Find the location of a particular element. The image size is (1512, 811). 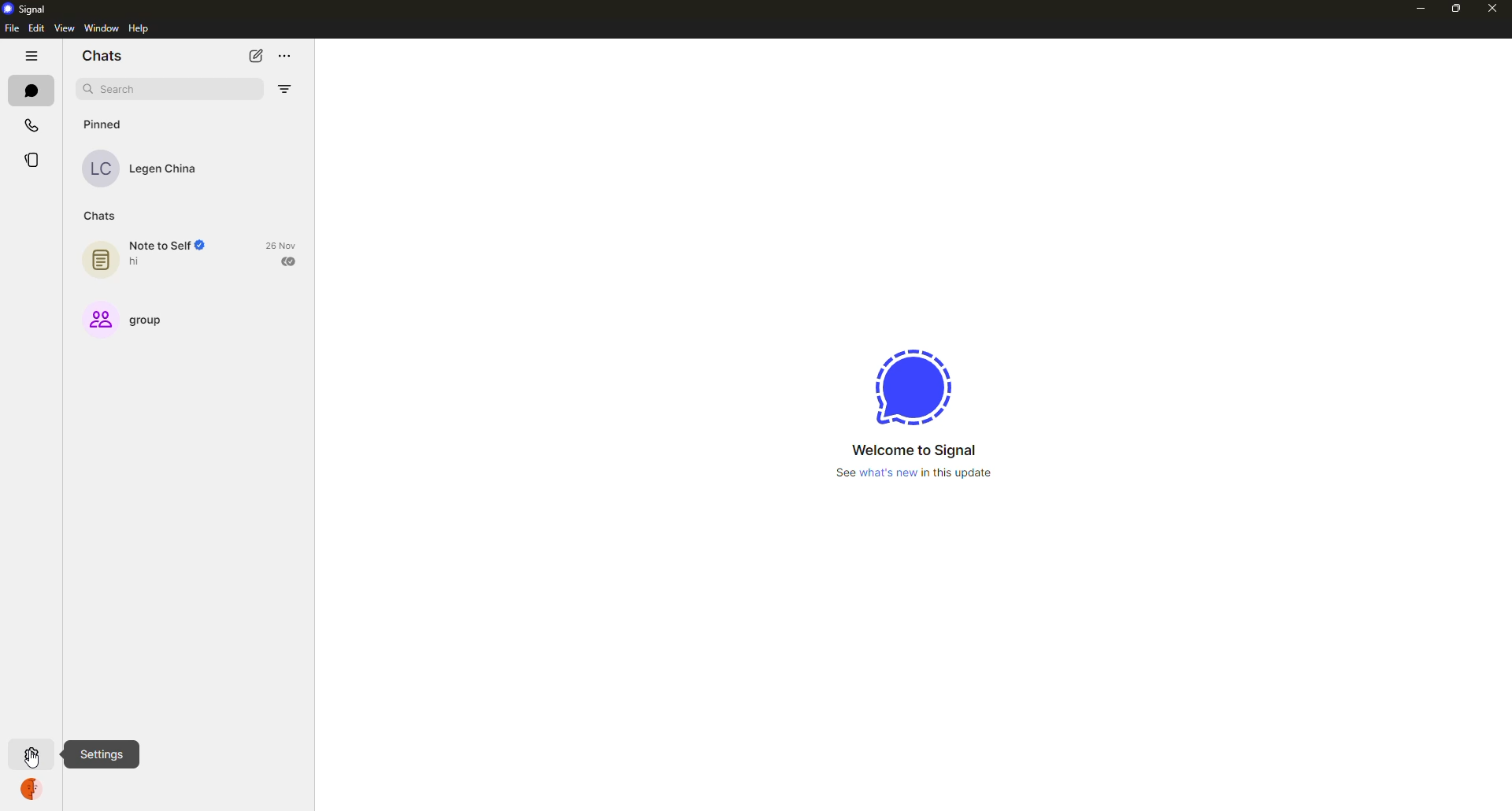

close is located at coordinates (1491, 8).